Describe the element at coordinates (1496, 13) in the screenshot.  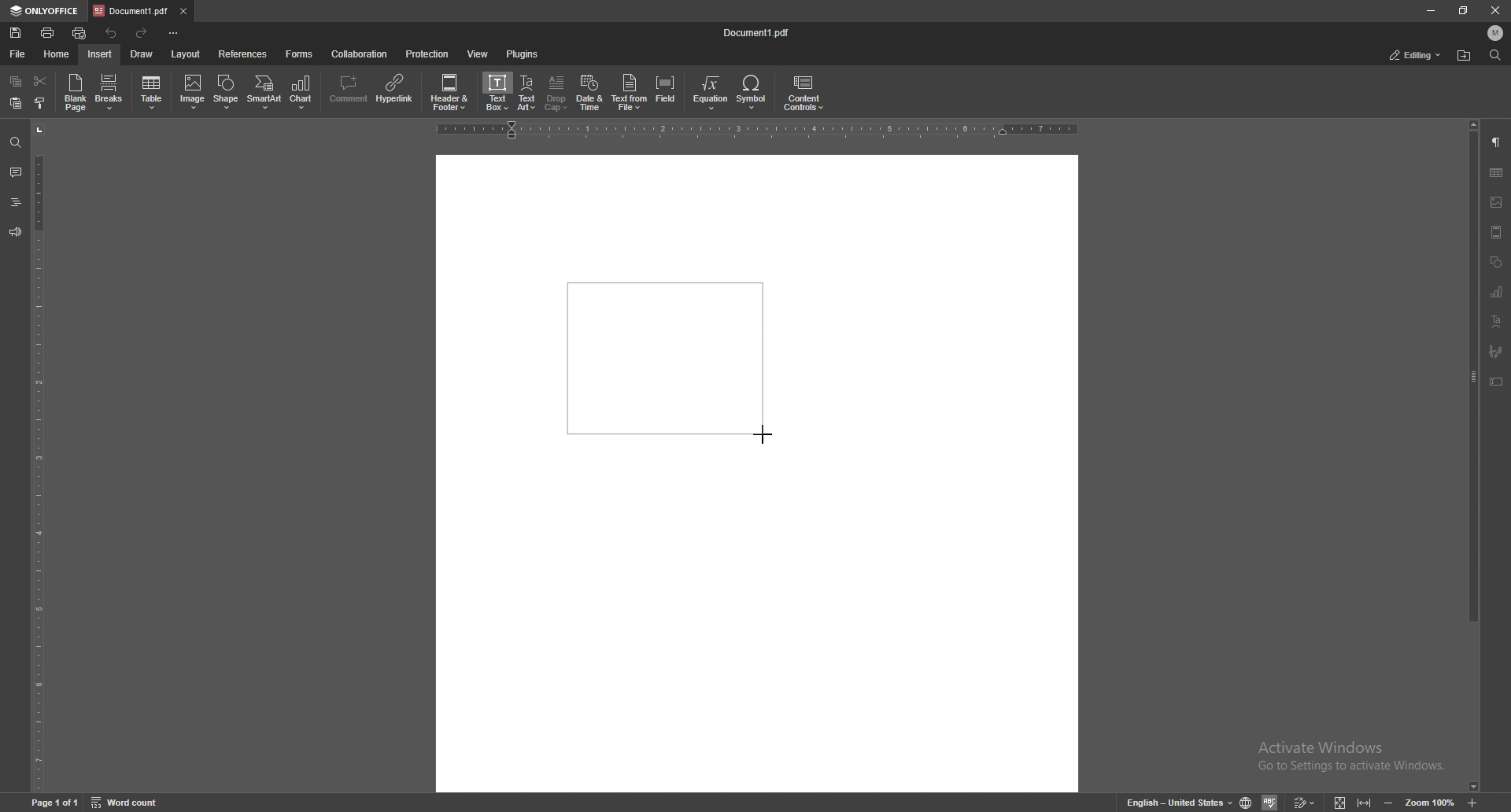
I see `close` at that location.